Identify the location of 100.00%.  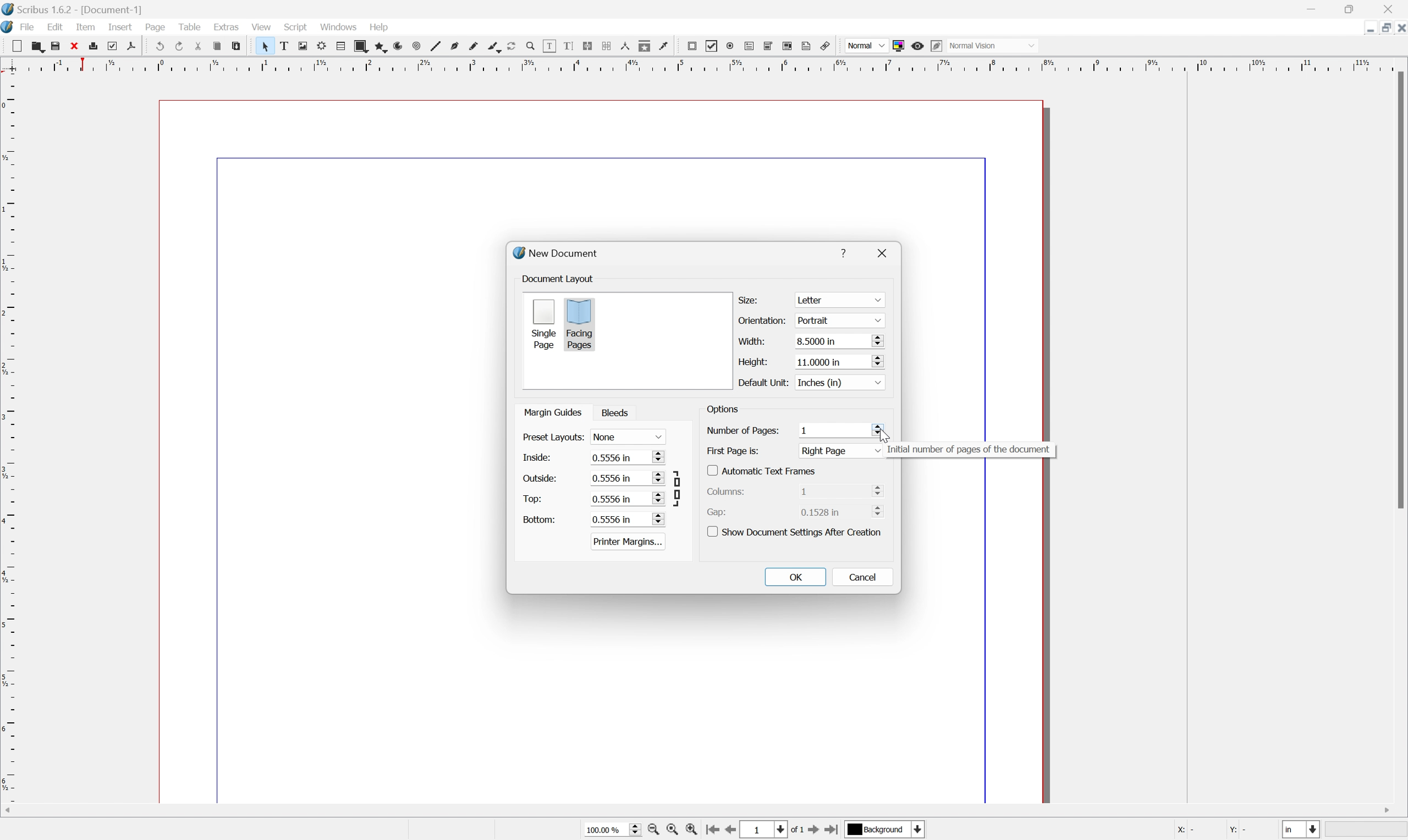
(608, 829).